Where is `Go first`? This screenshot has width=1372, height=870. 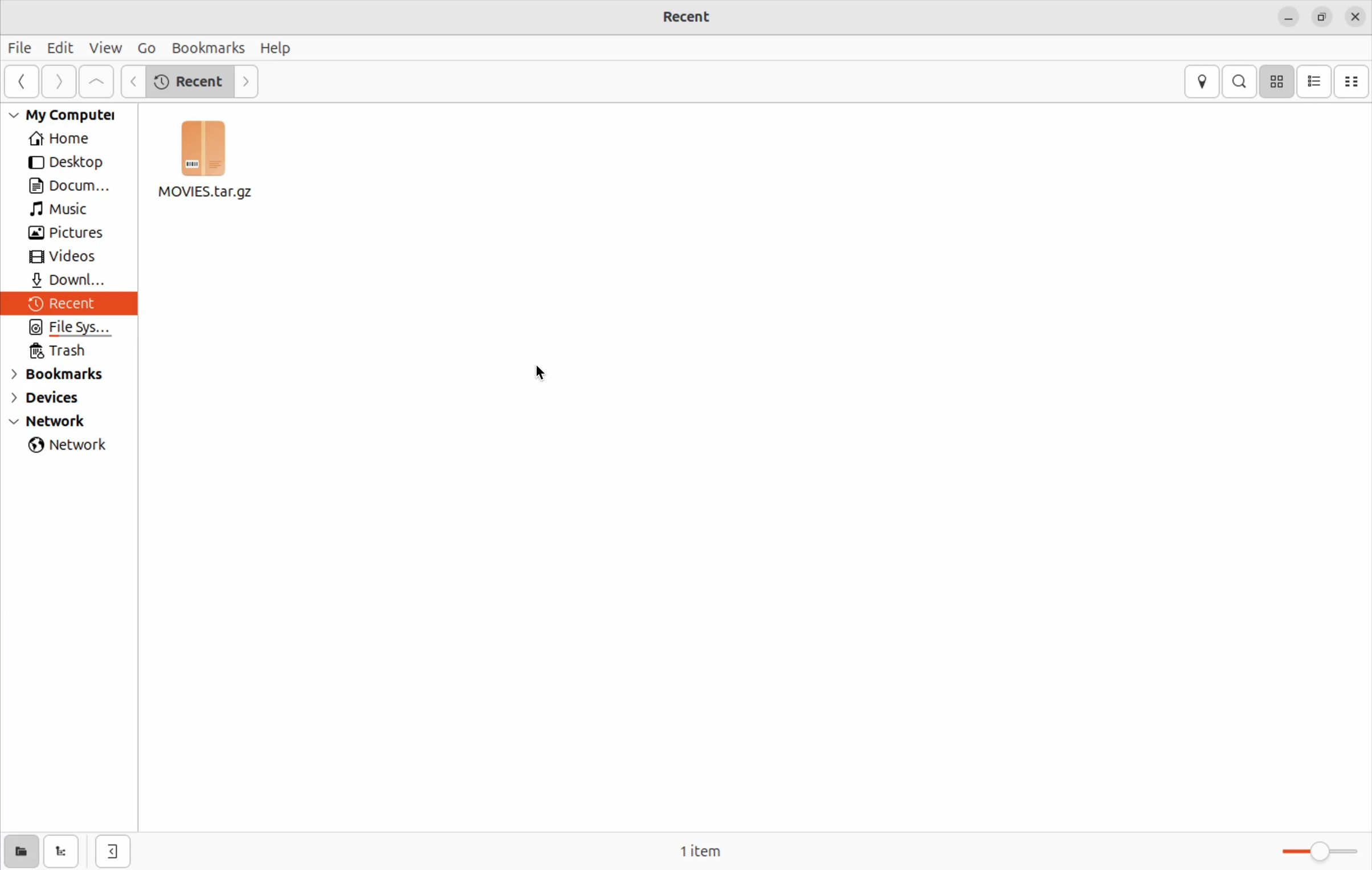
Go first is located at coordinates (96, 81).